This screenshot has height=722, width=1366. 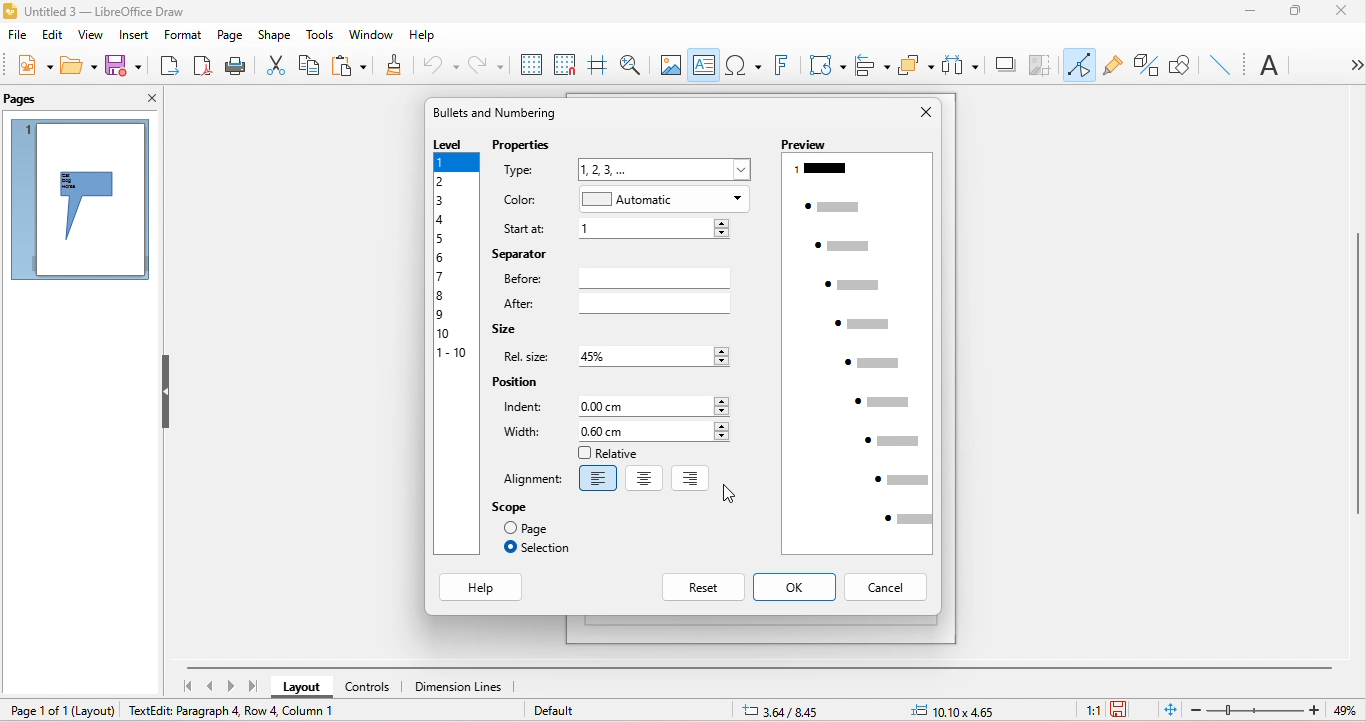 What do you see at coordinates (671, 64) in the screenshot?
I see `image` at bounding box center [671, 64].